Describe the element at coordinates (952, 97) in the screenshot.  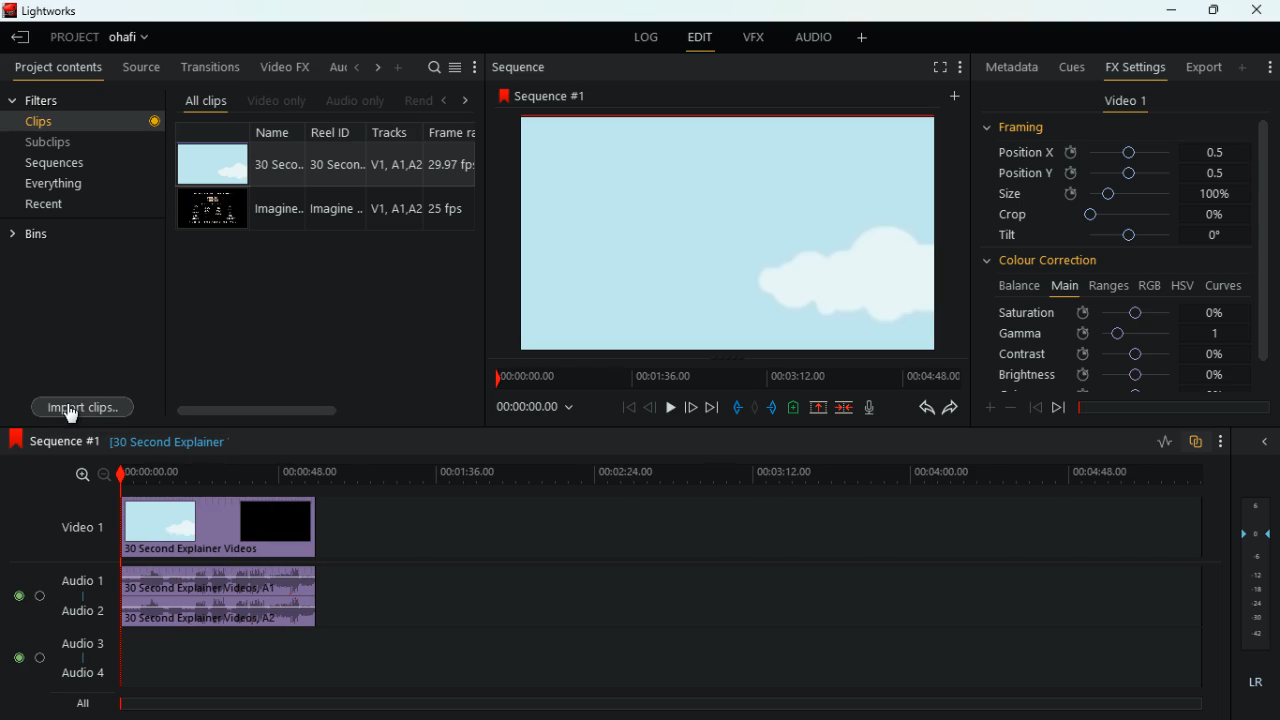
I see `more` at that location.